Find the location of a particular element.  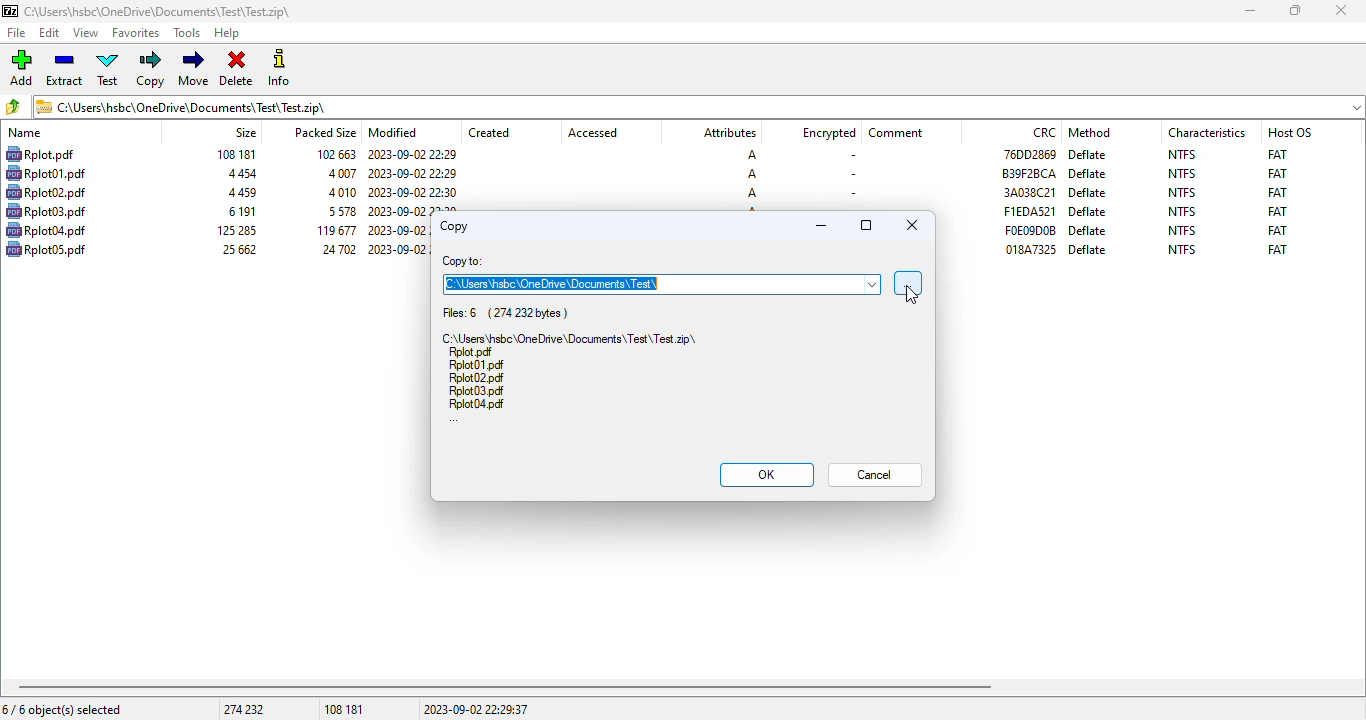

NTFS is located at coordinates (1182, 211).